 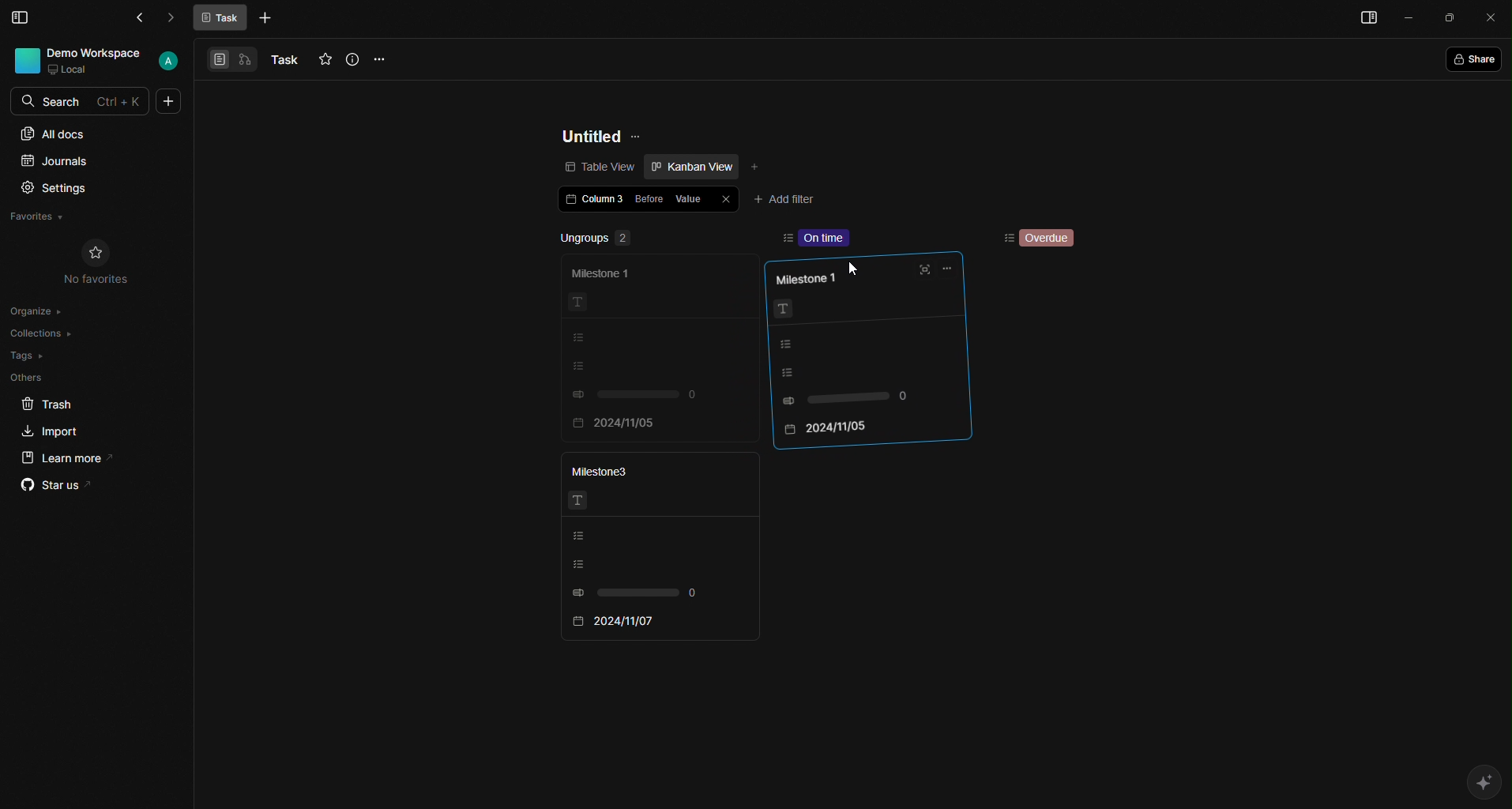 I want to click on Kanban view, so click(x=690, y=166).